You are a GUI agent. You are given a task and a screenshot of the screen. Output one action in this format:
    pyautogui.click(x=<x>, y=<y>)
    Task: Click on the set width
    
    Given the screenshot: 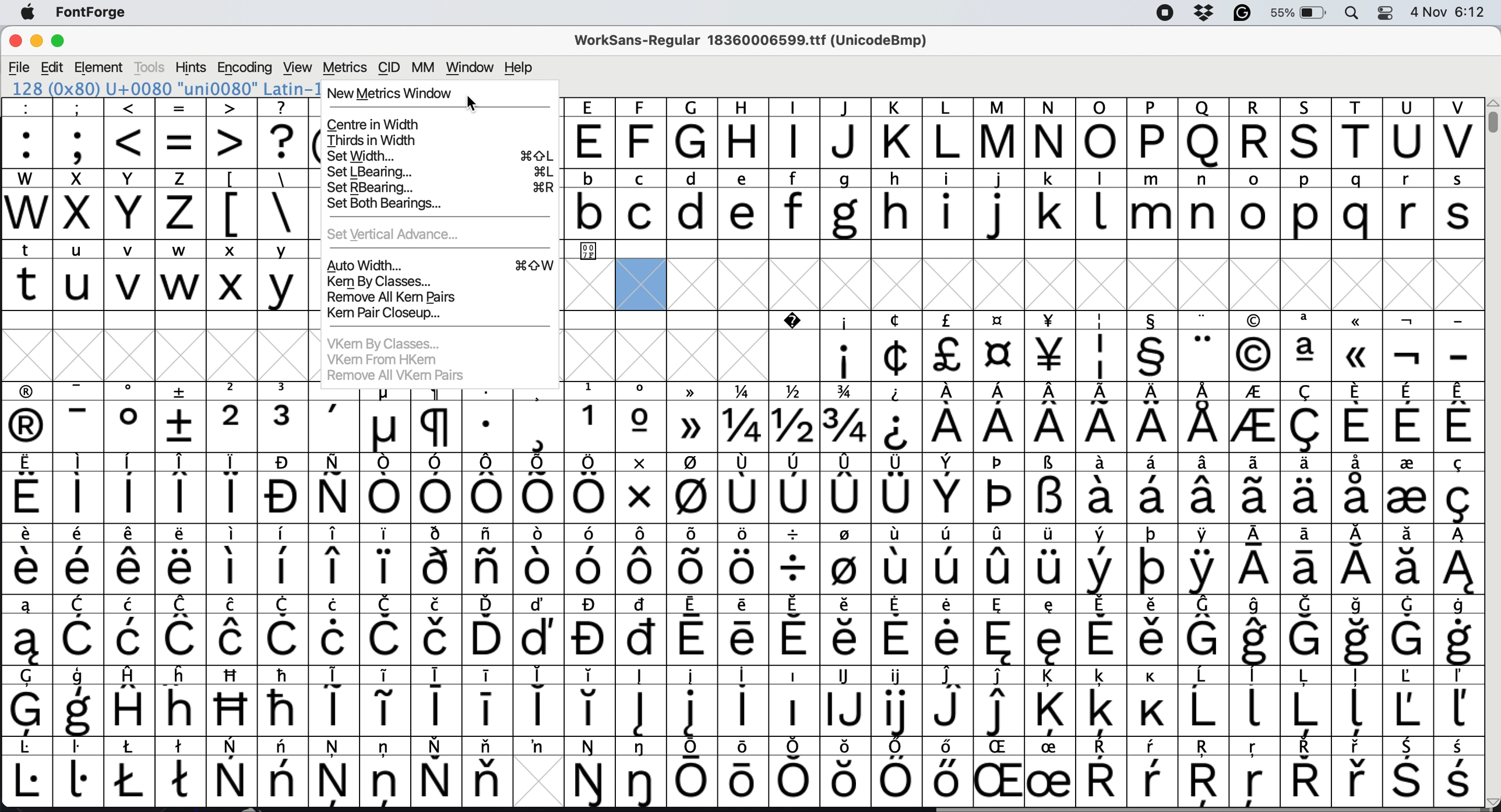 What is the action you would take?
    pyautogui.click(x=439, y=156)
    